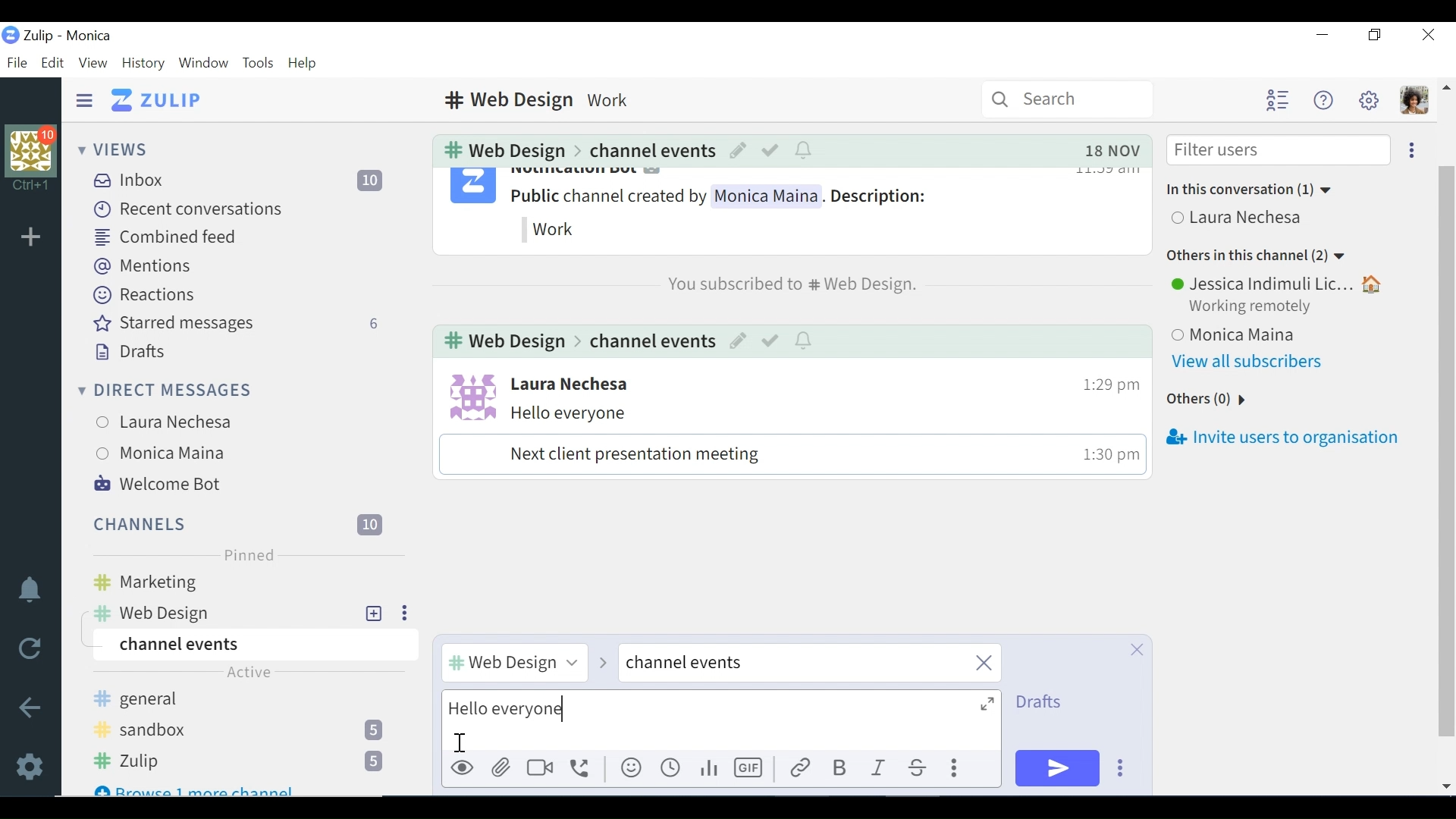  I want to click on Add voice call, so click(580, 768).